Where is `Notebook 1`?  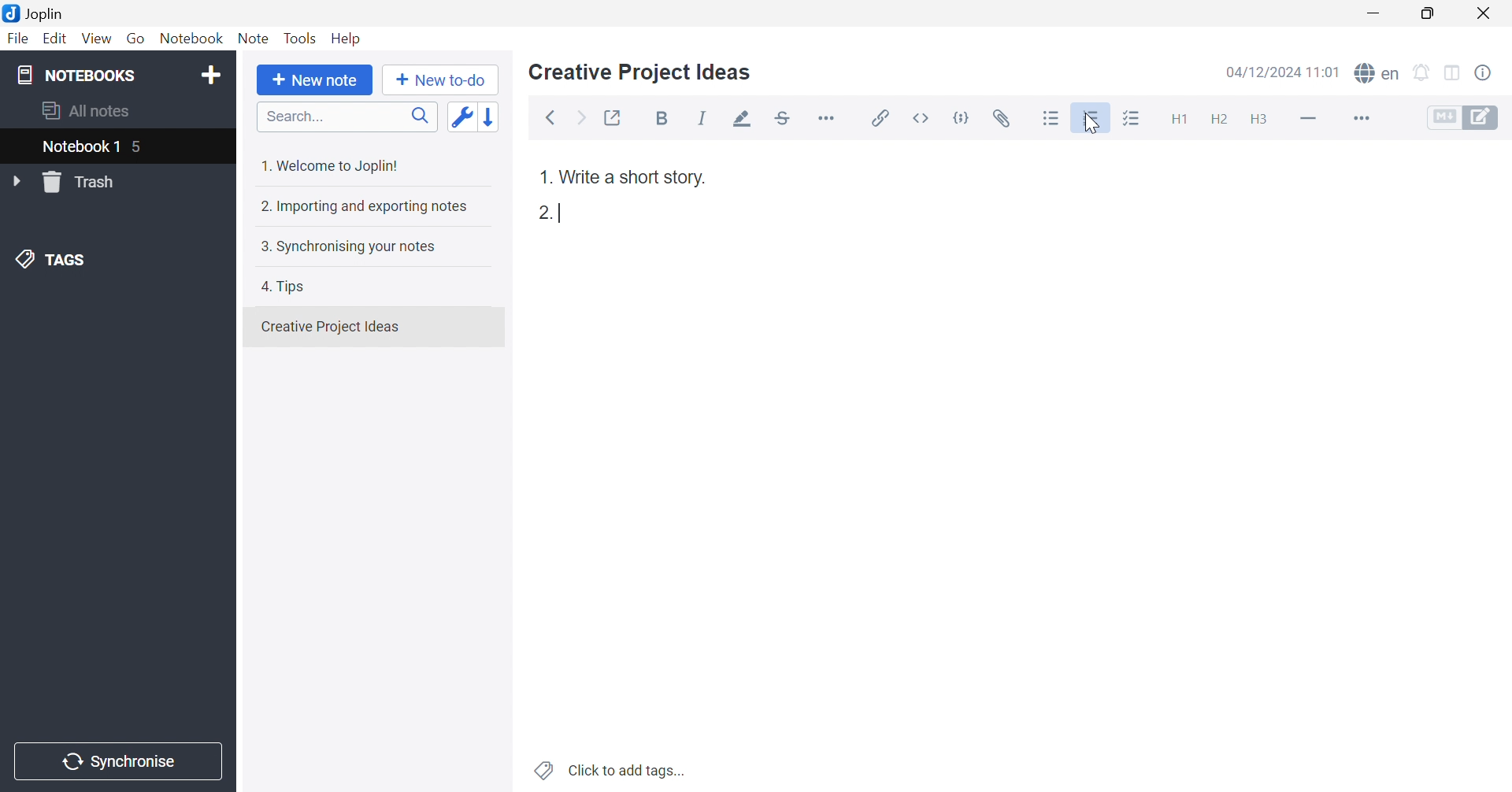
Notebook 1 is located at coordinates (79, 148).